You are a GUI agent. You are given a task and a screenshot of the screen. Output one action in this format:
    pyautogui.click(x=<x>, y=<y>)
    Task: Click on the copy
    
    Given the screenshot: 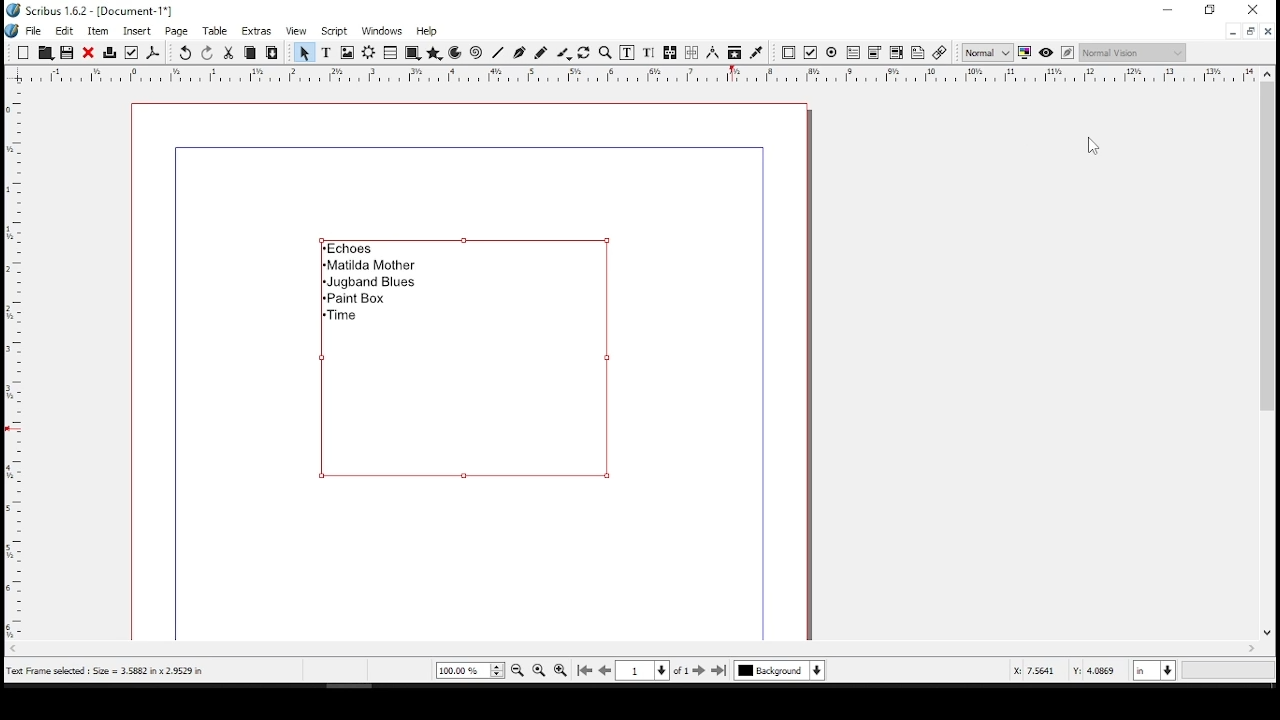 What is the action you would take?
    pyautogui.click(x=251, y=52)
    